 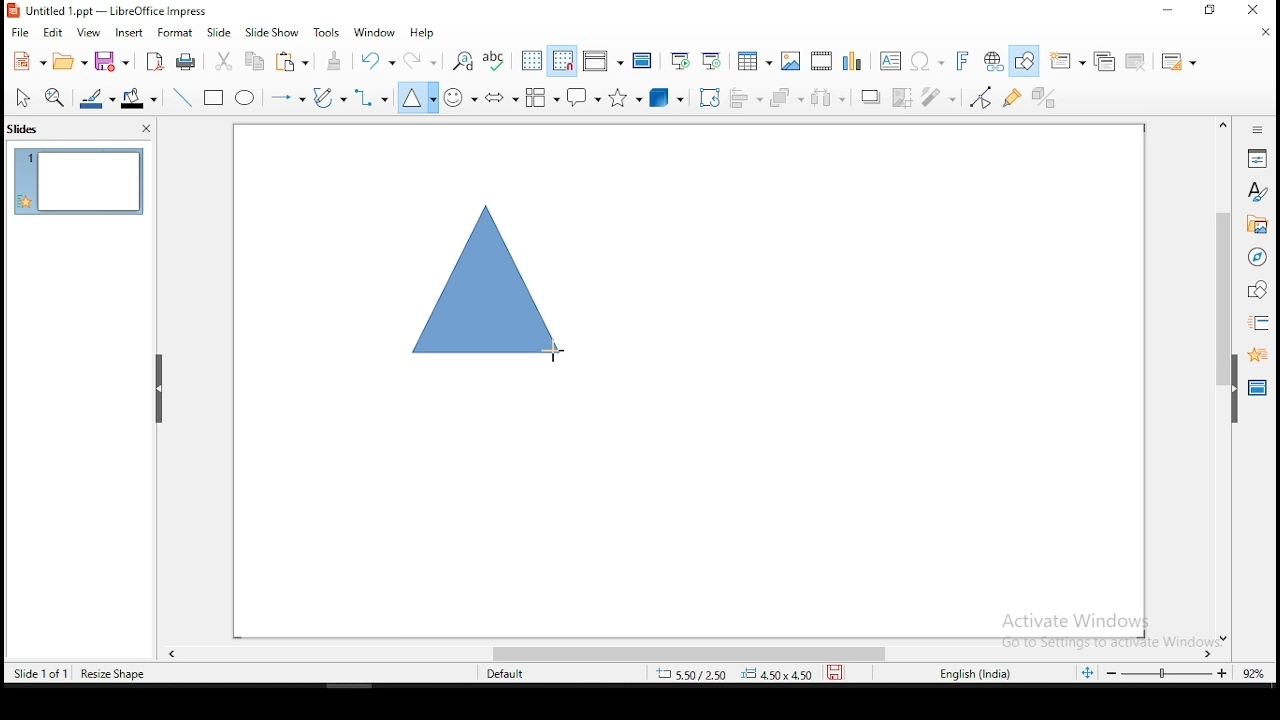 What do you see at coordinates (1258, 194) in the screenshot?
I see `styles` at bounding box center [1258, 194].